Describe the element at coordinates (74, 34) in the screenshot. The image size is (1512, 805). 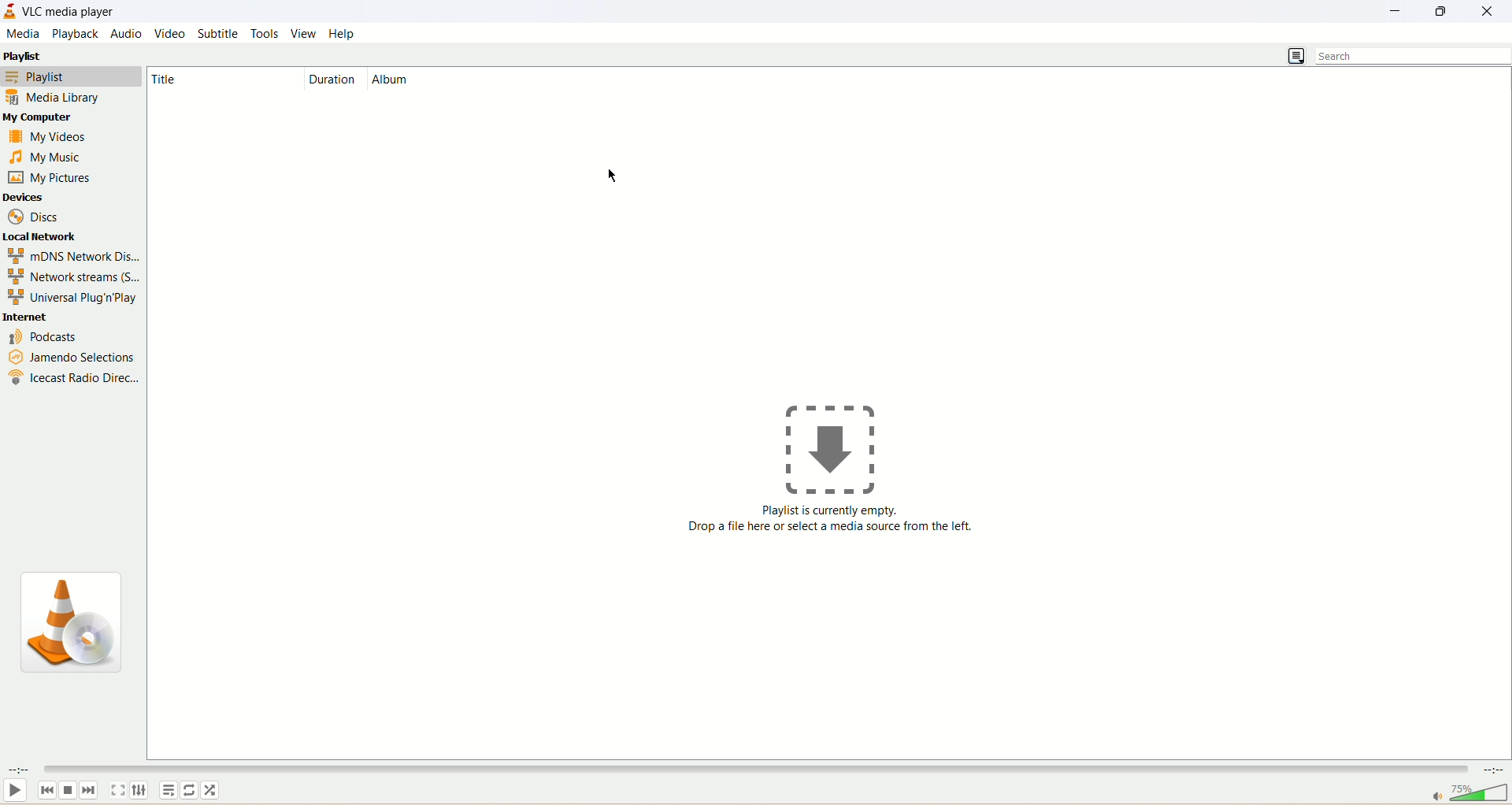
I see `playback` at that location.